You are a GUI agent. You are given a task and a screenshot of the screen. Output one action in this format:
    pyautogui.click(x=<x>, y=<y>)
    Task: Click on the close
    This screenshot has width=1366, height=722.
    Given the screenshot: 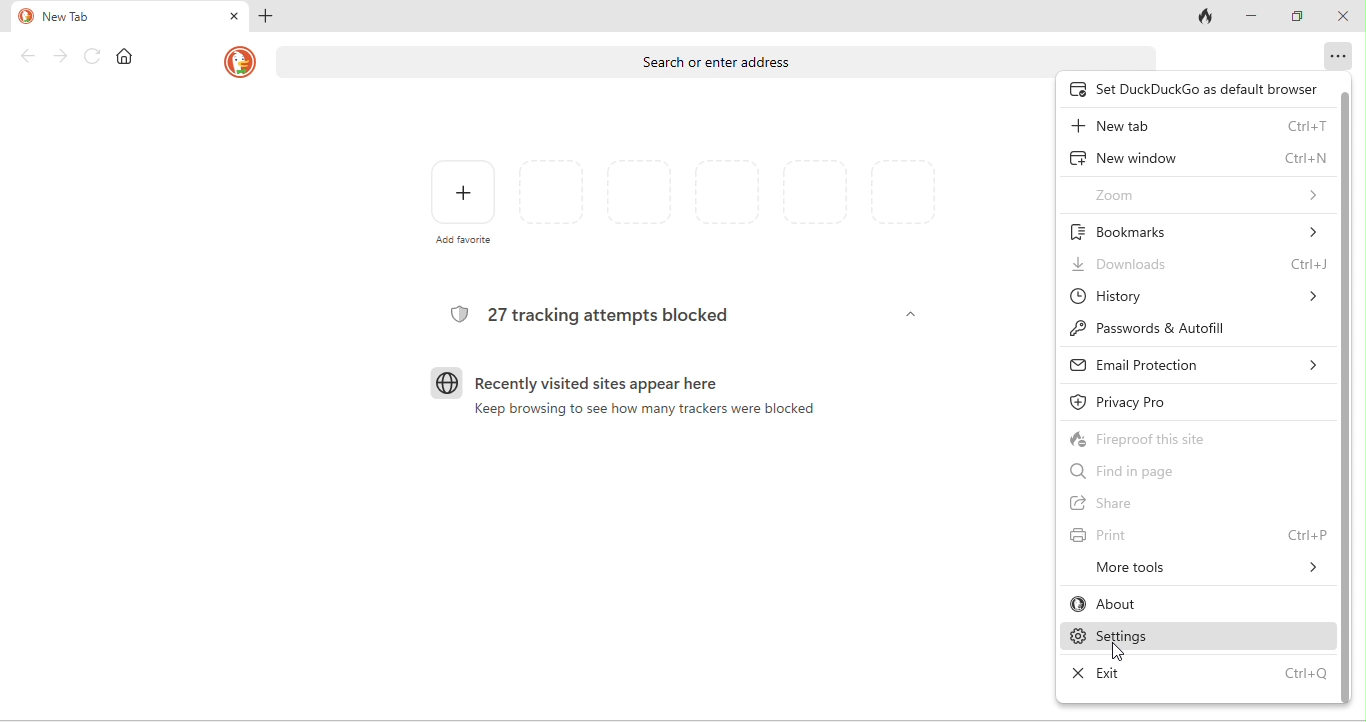 What is the action you would take?
    pyautogui.click(x=1343, y=18)
    